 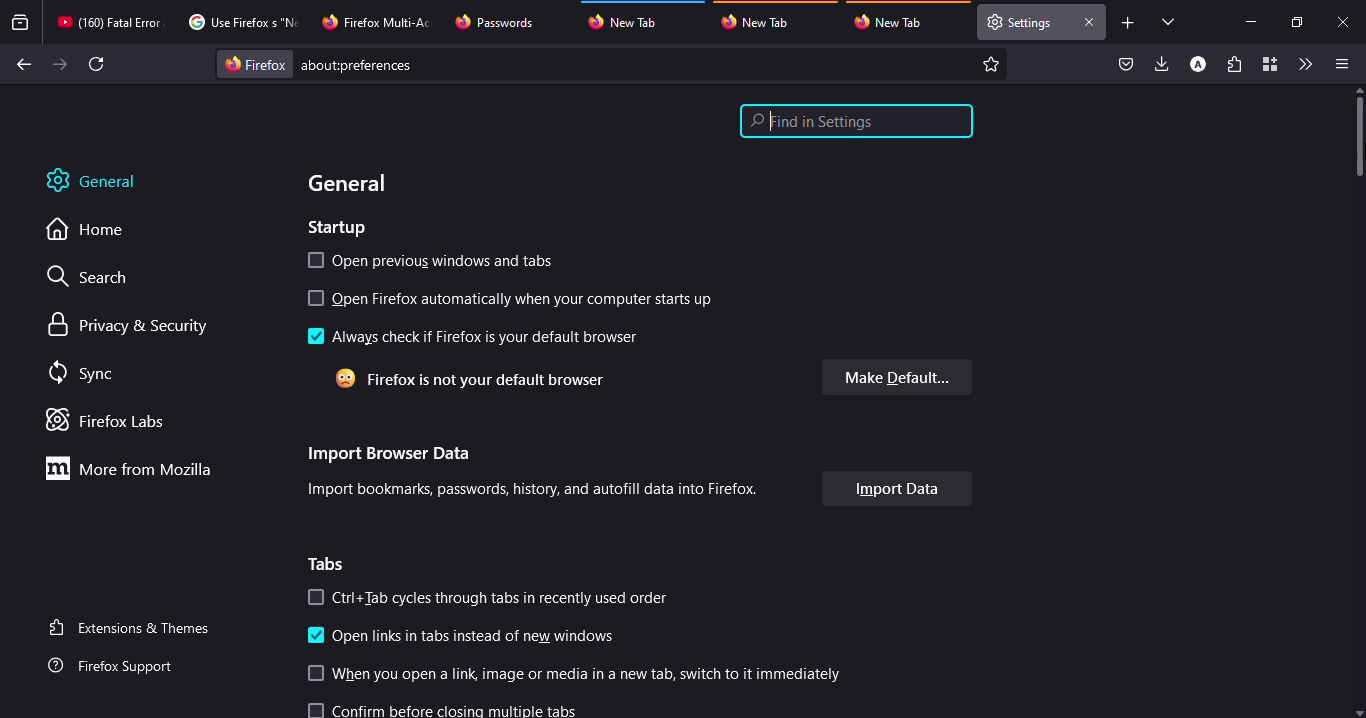 I want to click on more, so click(x=135, y=468).